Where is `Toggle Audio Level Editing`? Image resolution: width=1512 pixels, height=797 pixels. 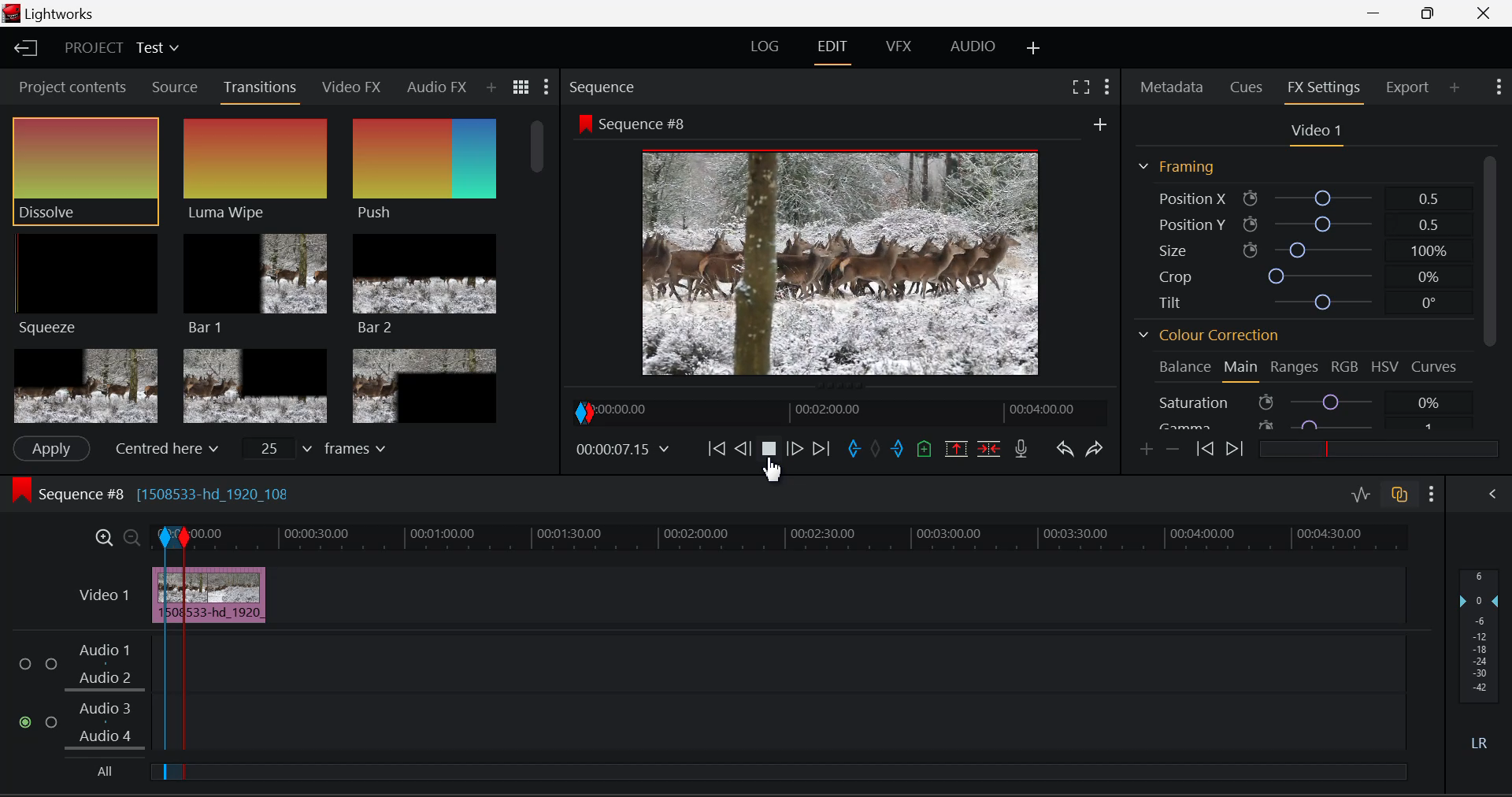
Toggle Audio Level Editing is located at coordinates (1362, 496).